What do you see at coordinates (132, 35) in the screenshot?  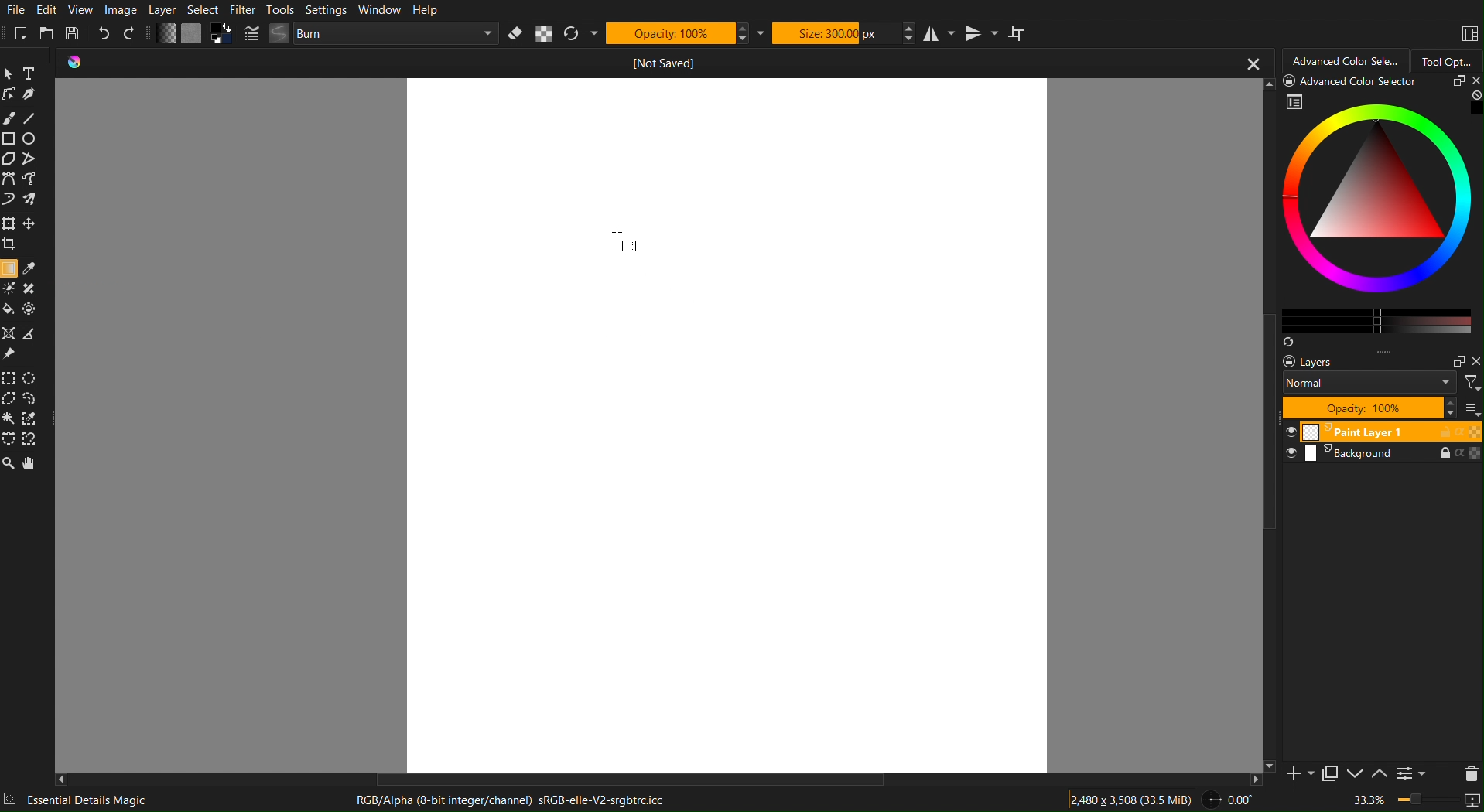 I see `Redo` at bounding box center [132, 35].